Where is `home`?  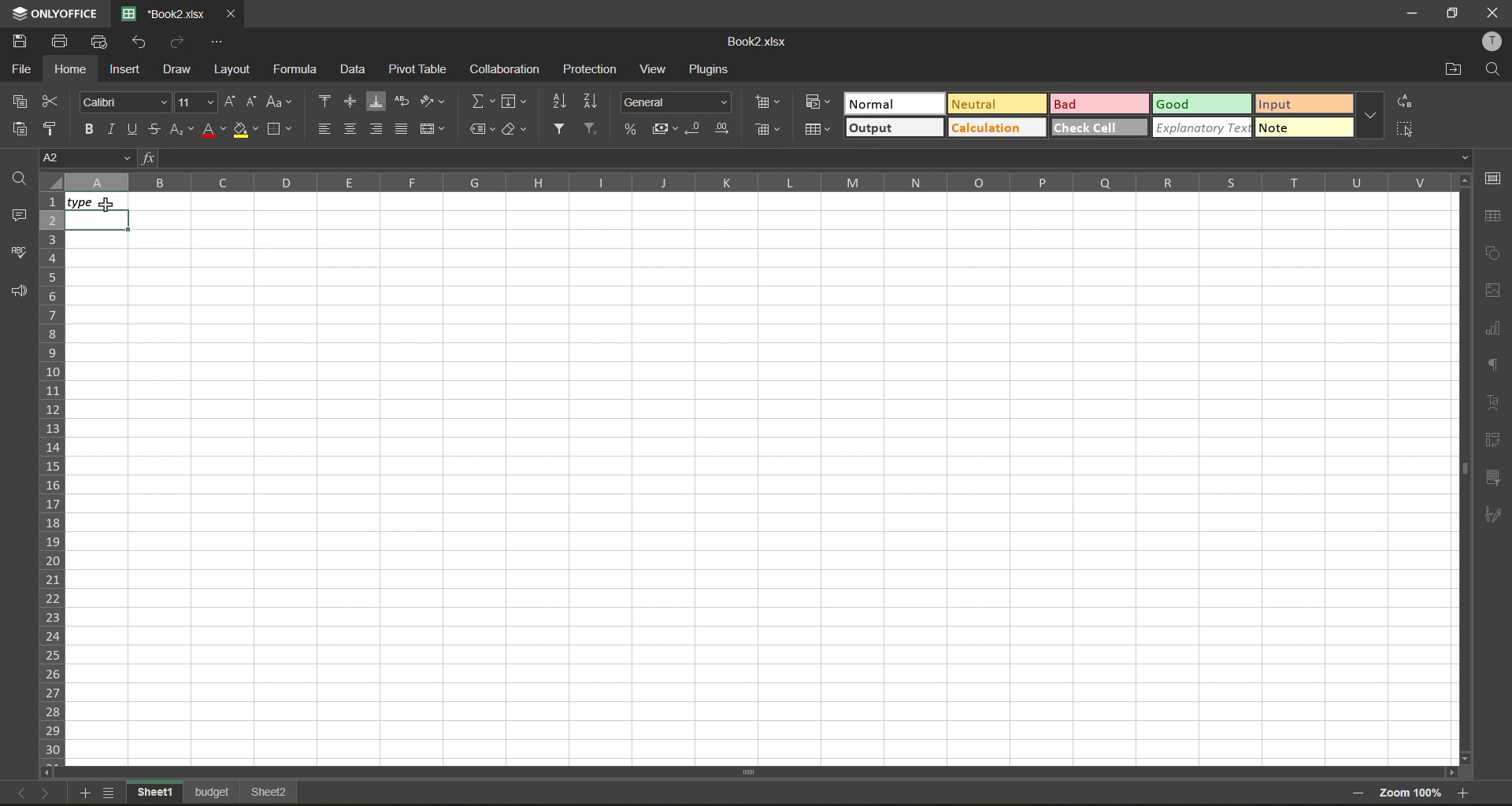 home is located at coordinates (70, 70).